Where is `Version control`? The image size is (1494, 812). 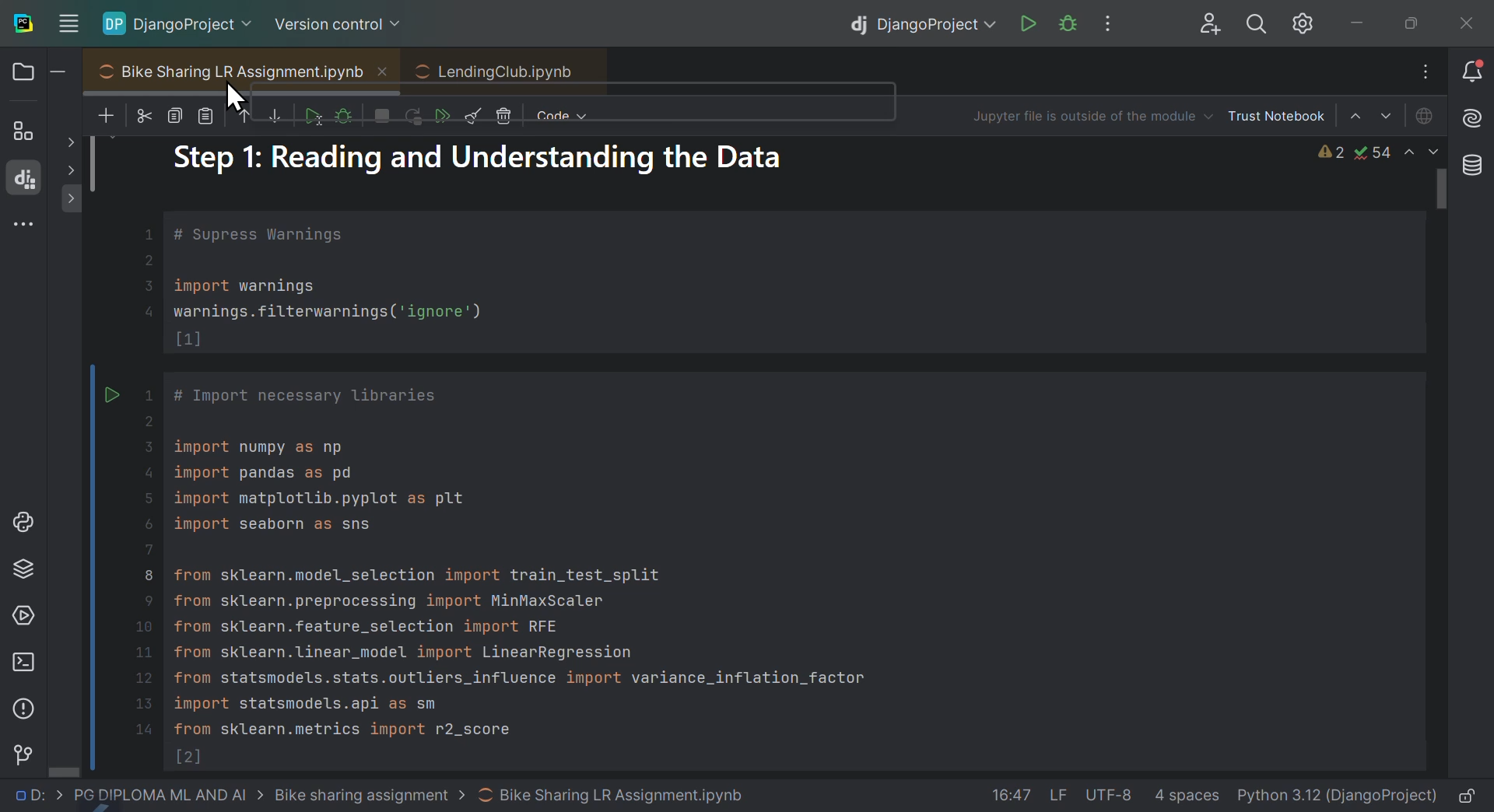 Version control is located at coordinates (23, 753).